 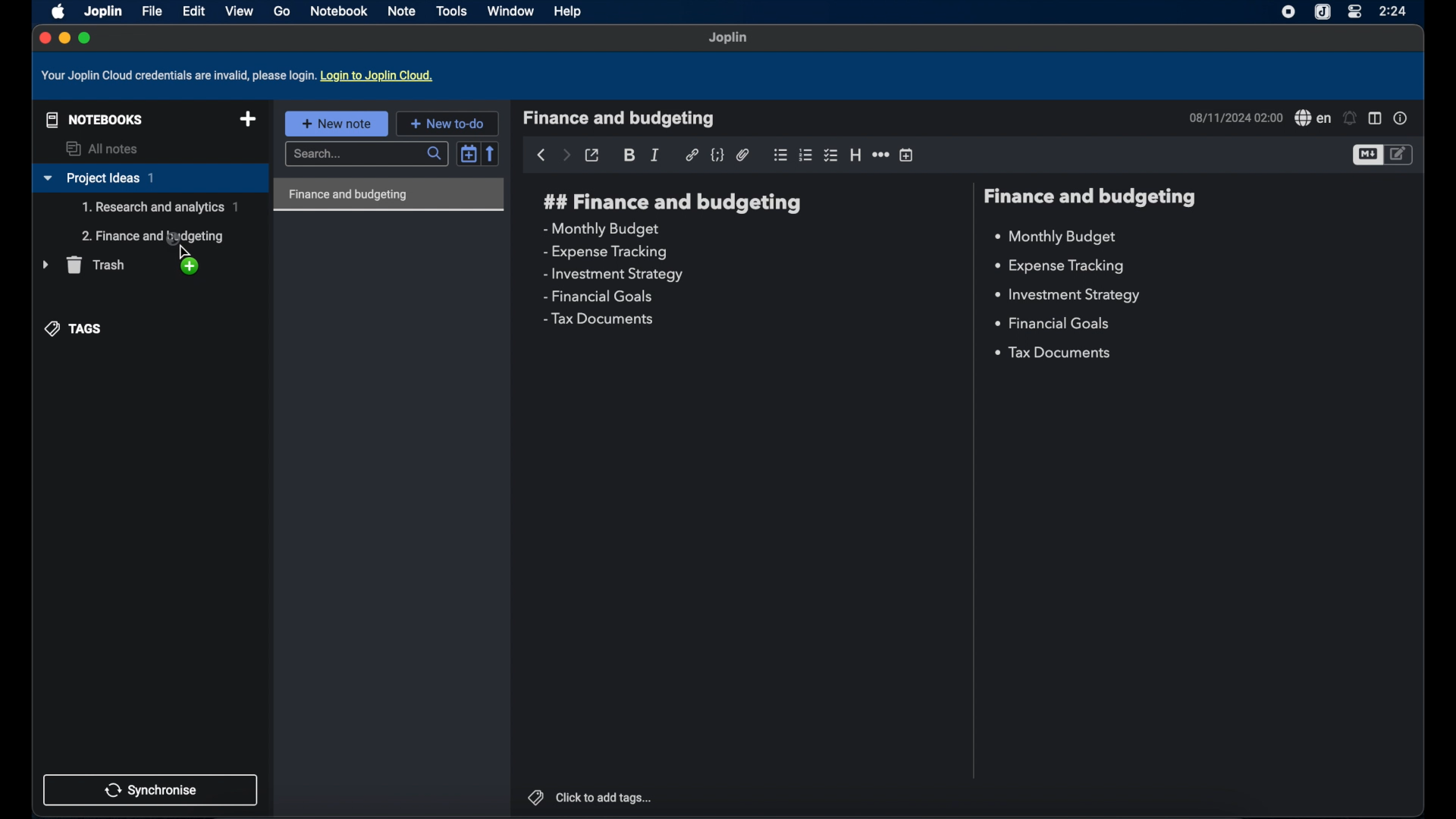 What do you see at coordinates (160, 207) in the screenshot?
I see `Research and analytics 1(sub-notebook)` at bounding box center [160, 207].